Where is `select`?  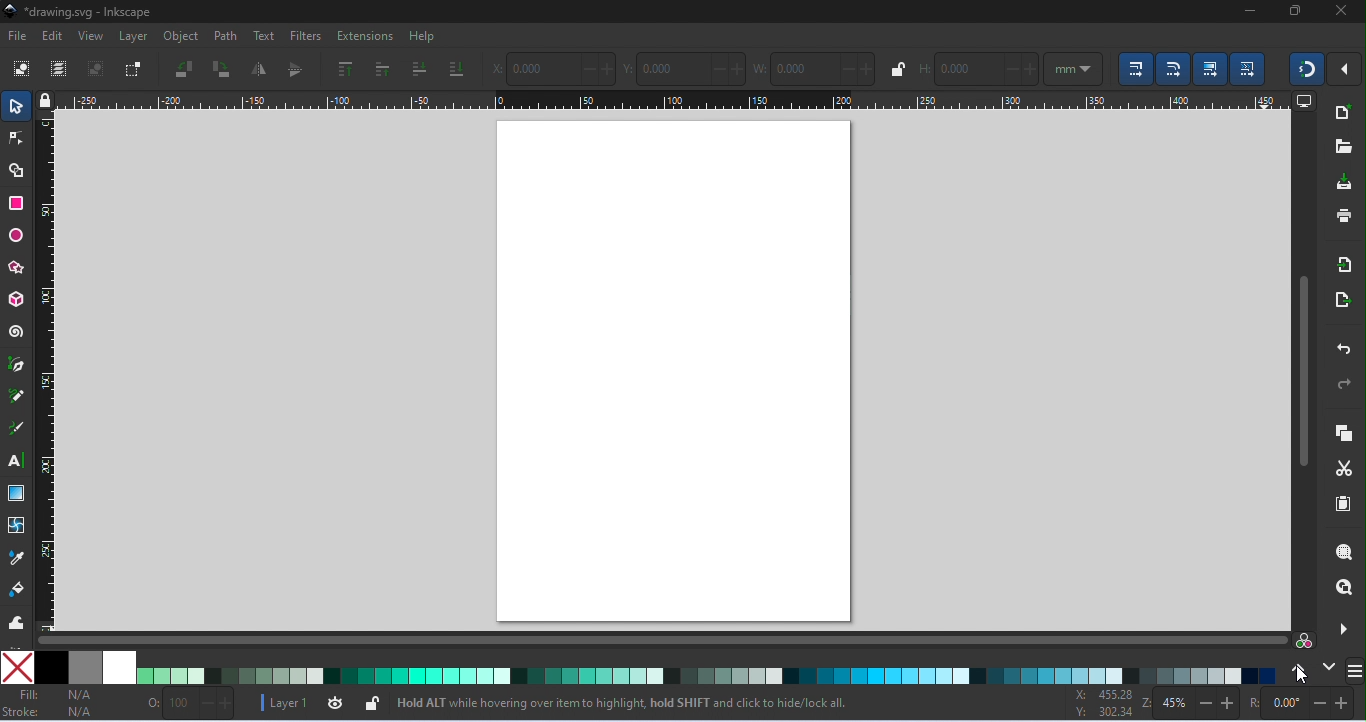 select is located at coordinates (16, 104).